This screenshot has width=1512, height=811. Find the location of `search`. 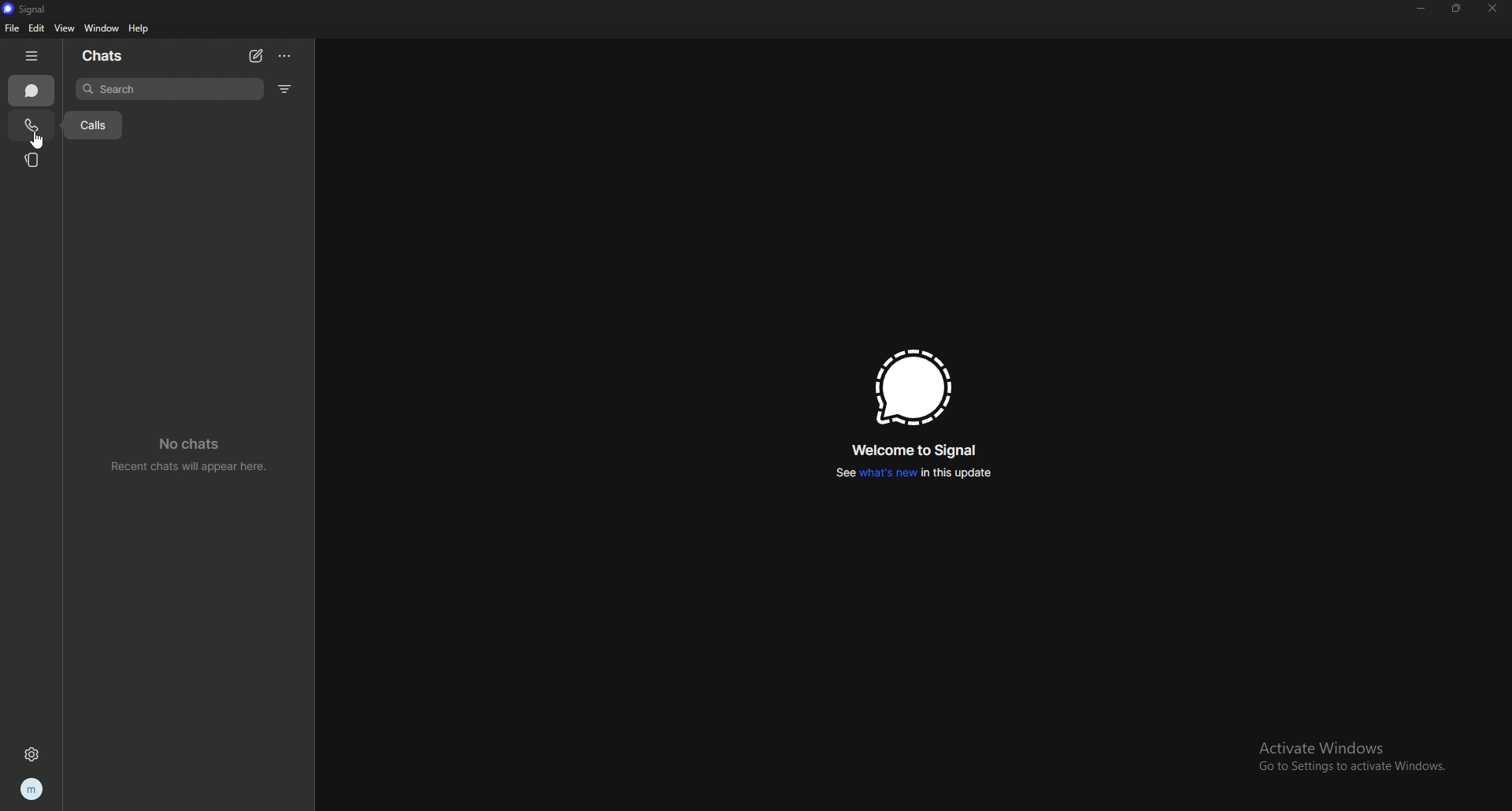

search is located at coordinates (169, 90).